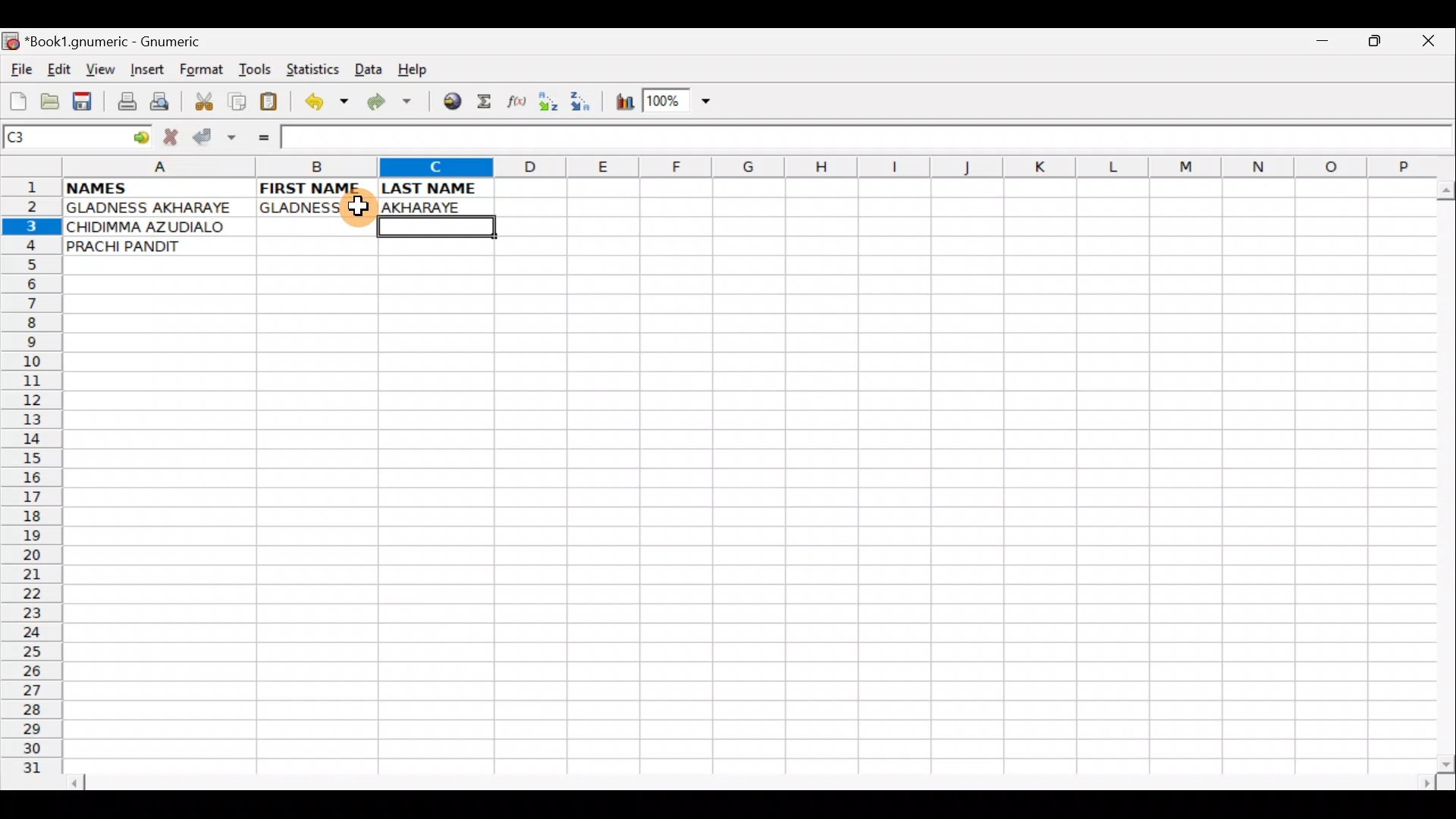 This screenshot has height=819, width=1456. What do you see at coordinates (754, 780) in the screenshot?
I see `Scroll bar` at bounding box center [754, 780].